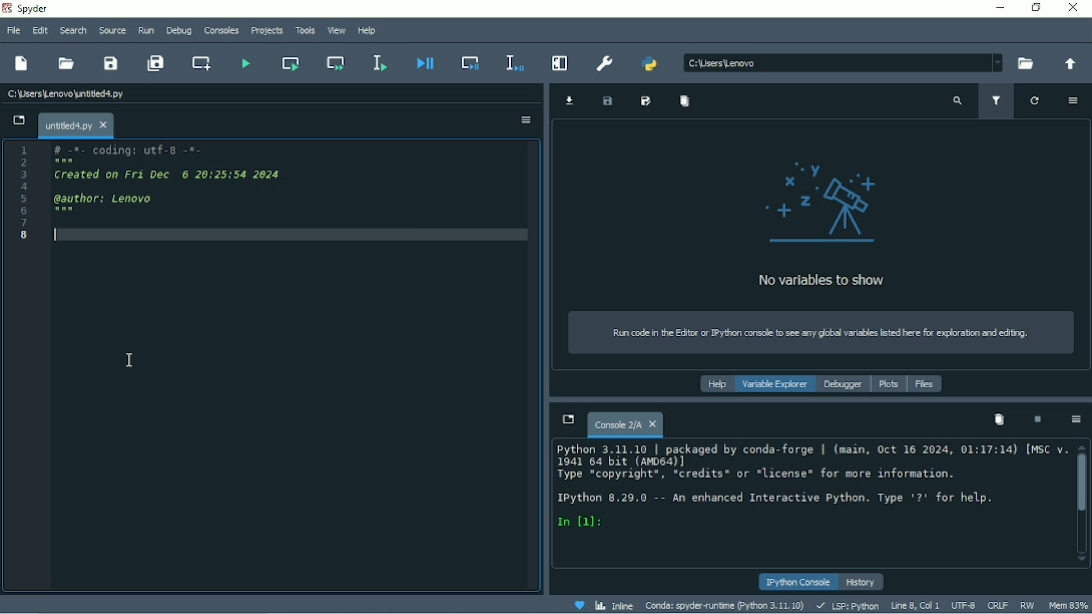 Image resolution: width=1092 pixels, height=614 pixels. What do you see at coordinates (306, 30) in the screenshot?
I see `Tools` at bounding box center [306, 30].